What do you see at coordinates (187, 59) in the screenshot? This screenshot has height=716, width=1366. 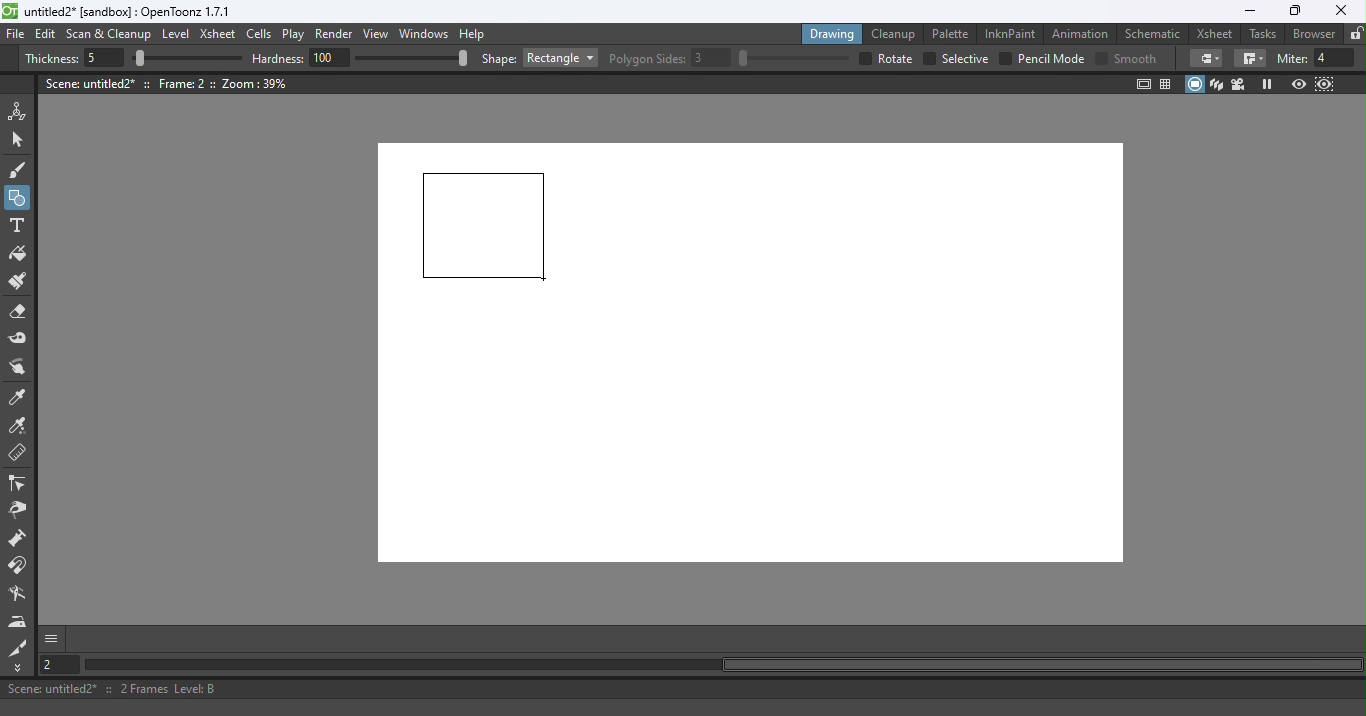 I see `slider` at bounding box center [187, 59].